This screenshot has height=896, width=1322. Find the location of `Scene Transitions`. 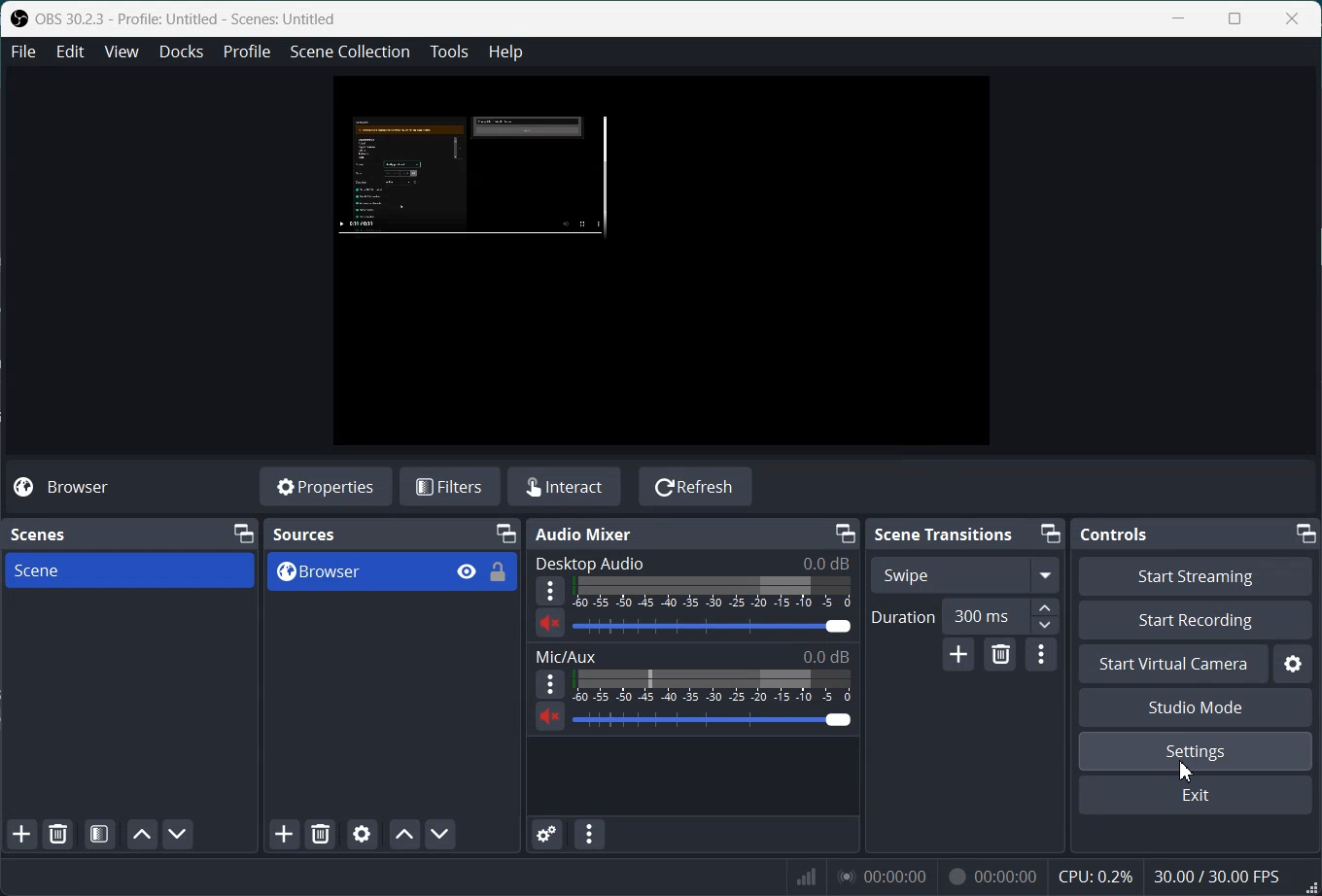

Scene Transitions is located at coordinates (942, 534).